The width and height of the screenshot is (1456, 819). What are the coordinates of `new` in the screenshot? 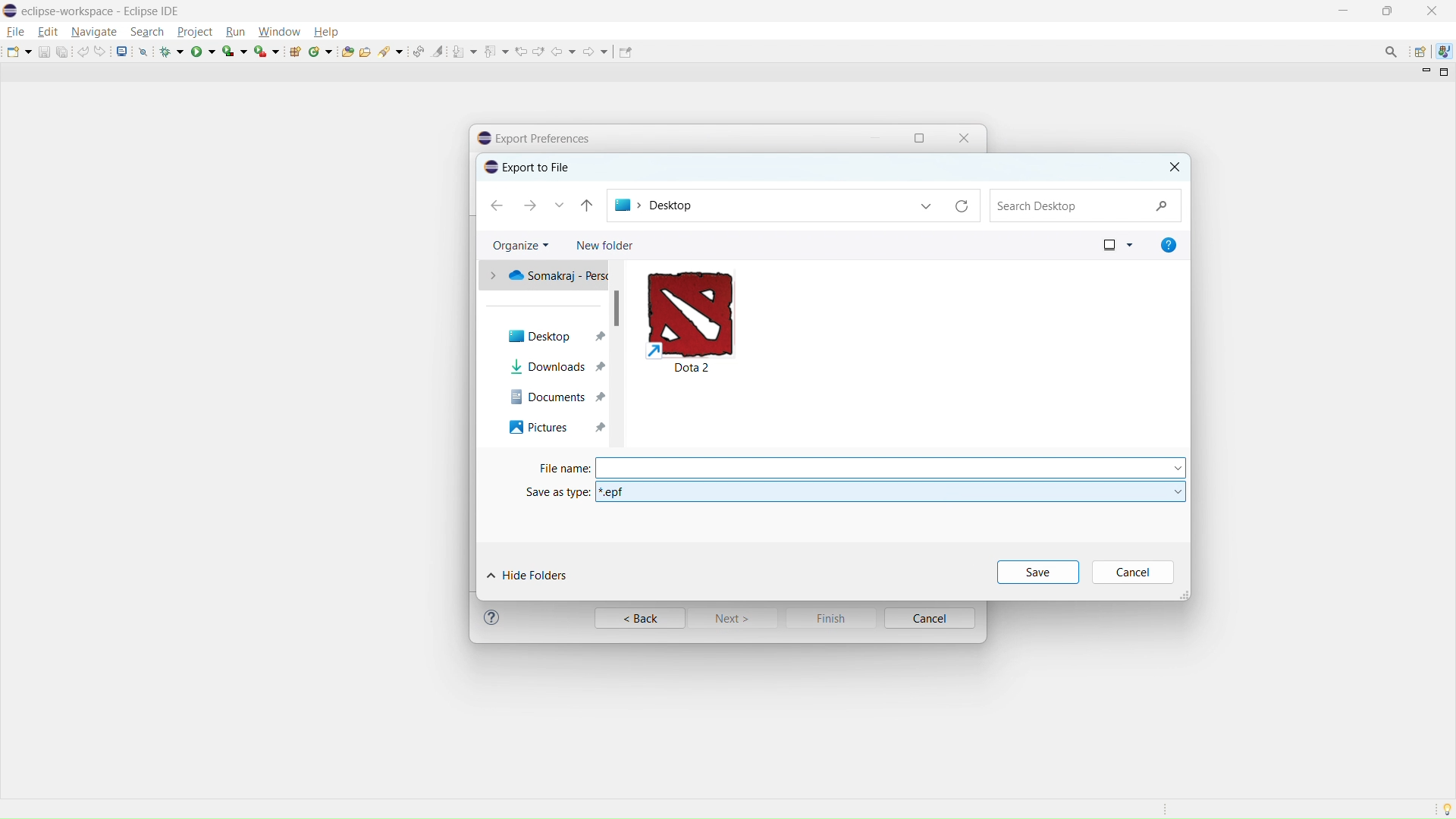 It's located at (19, 52).